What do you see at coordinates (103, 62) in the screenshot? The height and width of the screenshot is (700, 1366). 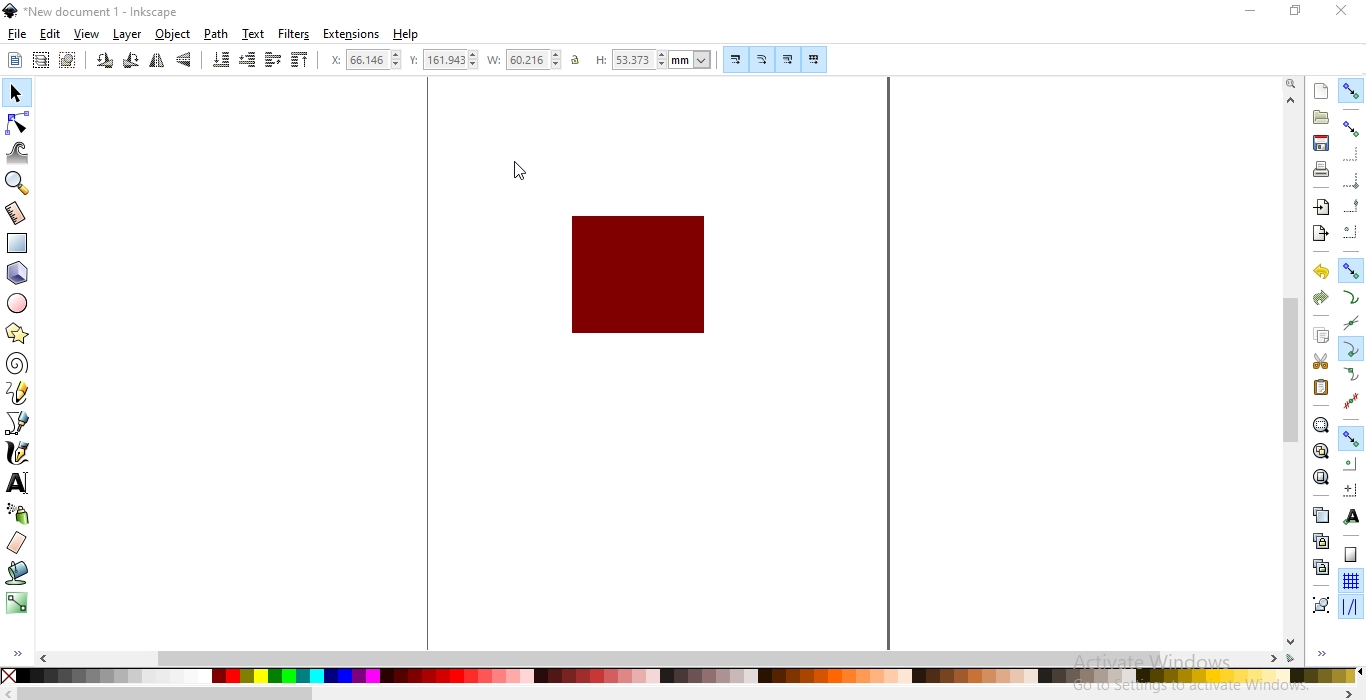 I see `rotate 90 counter clockwise` at bounding box center [103, 62].